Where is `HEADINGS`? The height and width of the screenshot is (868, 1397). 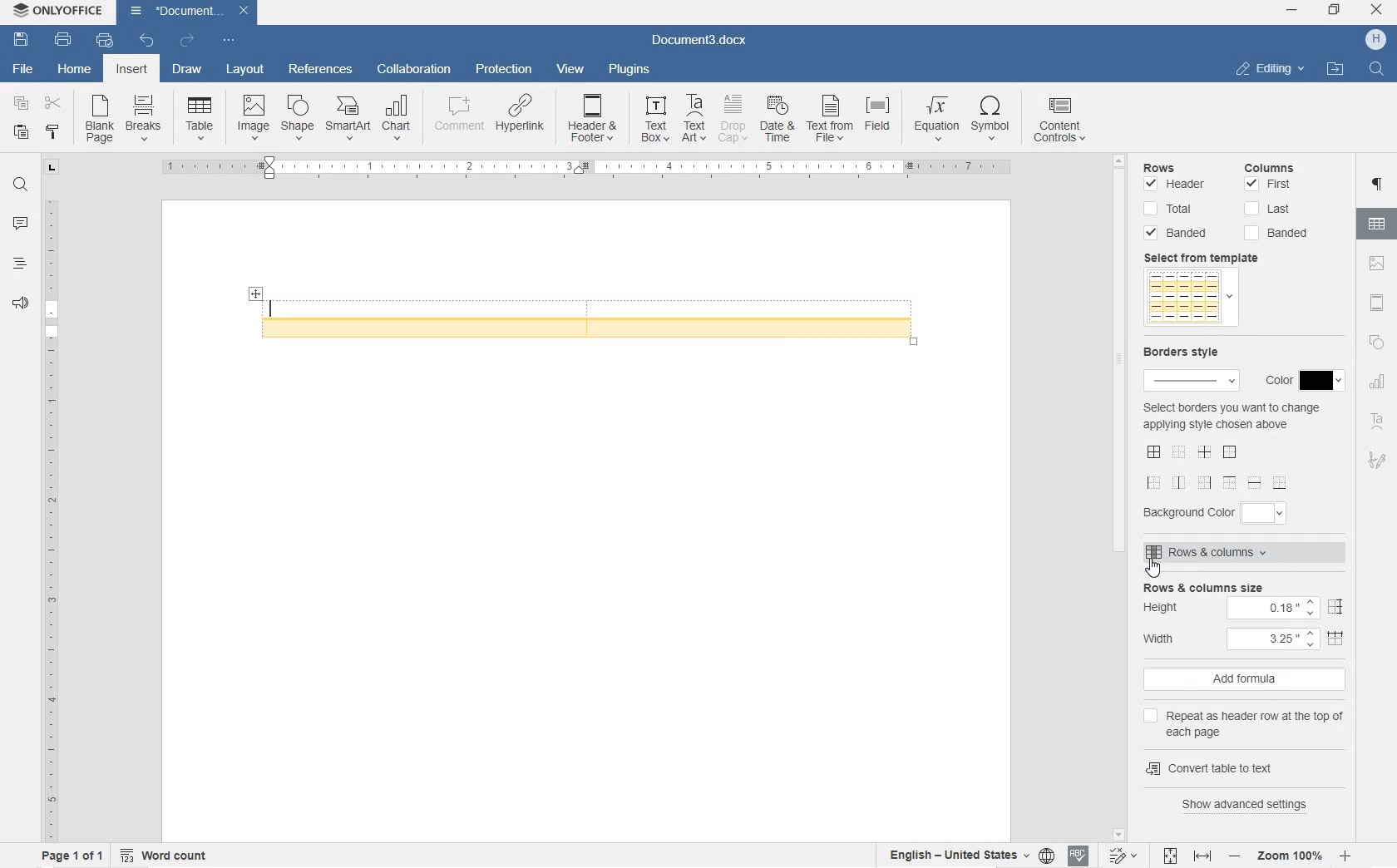 HEADINGS is located at coordinates (17, 267).